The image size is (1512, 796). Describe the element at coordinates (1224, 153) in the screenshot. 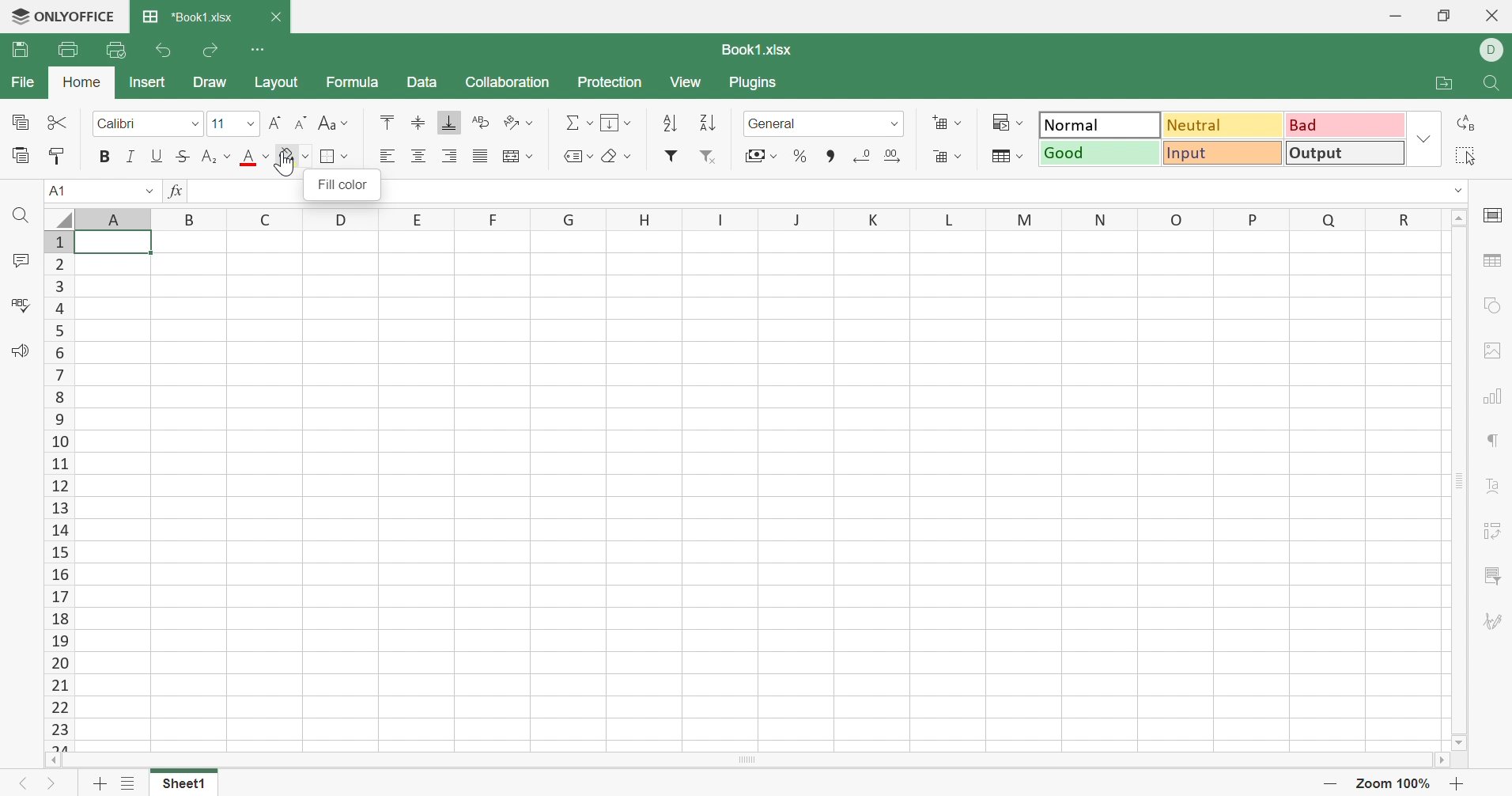

I see `Input` at that location.